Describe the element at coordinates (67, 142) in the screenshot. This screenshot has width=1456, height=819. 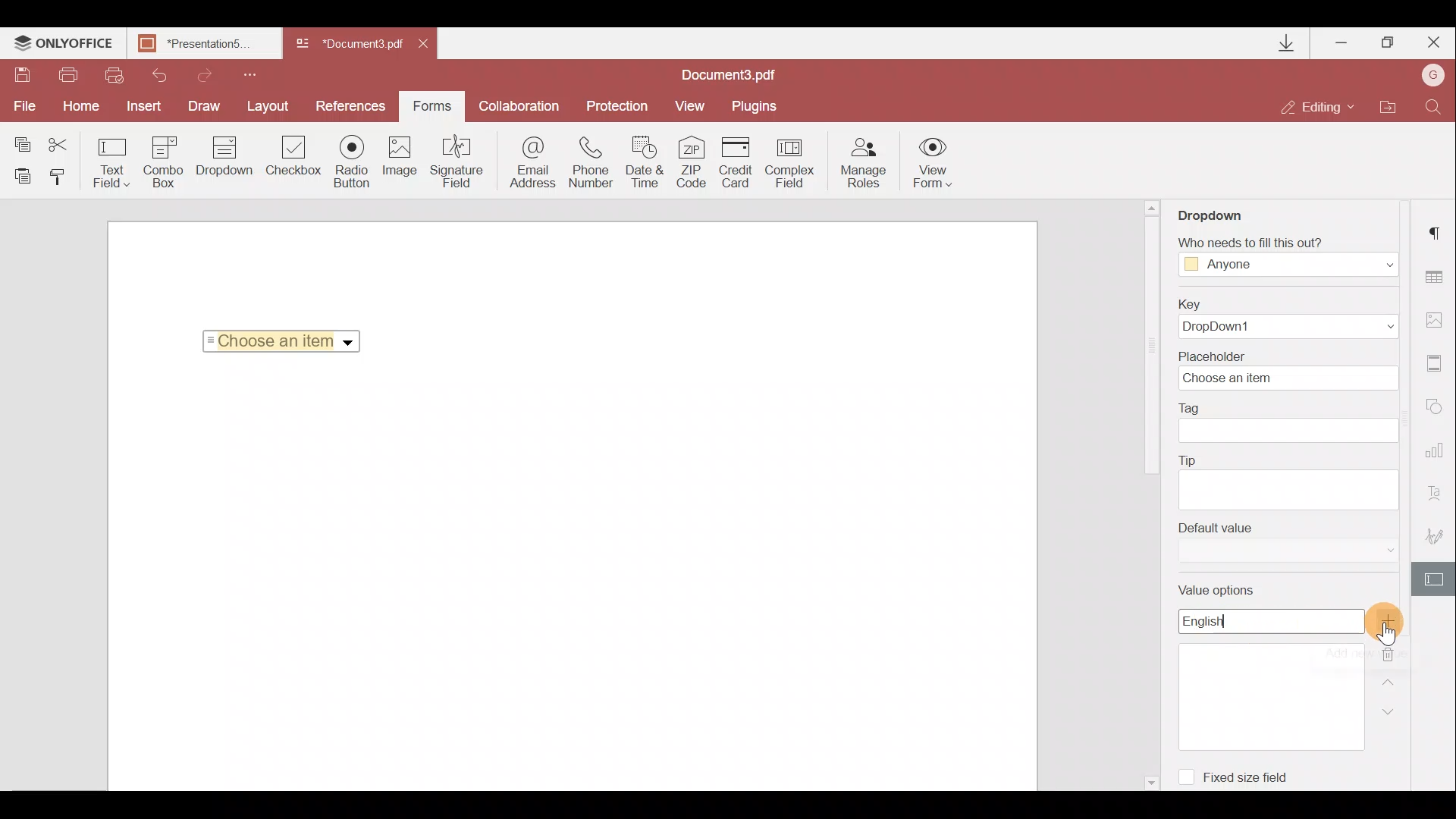
I see `Cut` at that location.